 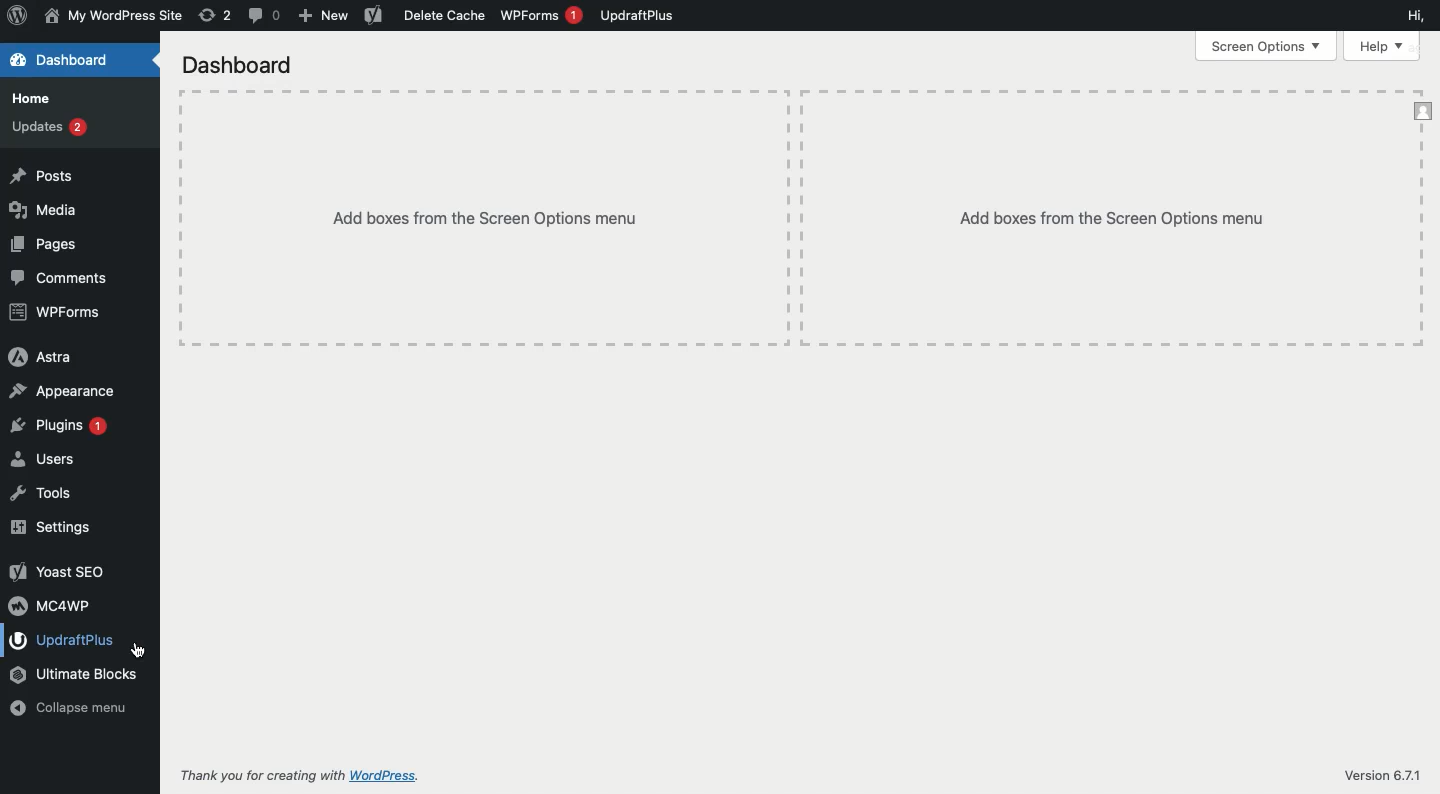 I want to click on Dashboard, so click(x=244, y=68).